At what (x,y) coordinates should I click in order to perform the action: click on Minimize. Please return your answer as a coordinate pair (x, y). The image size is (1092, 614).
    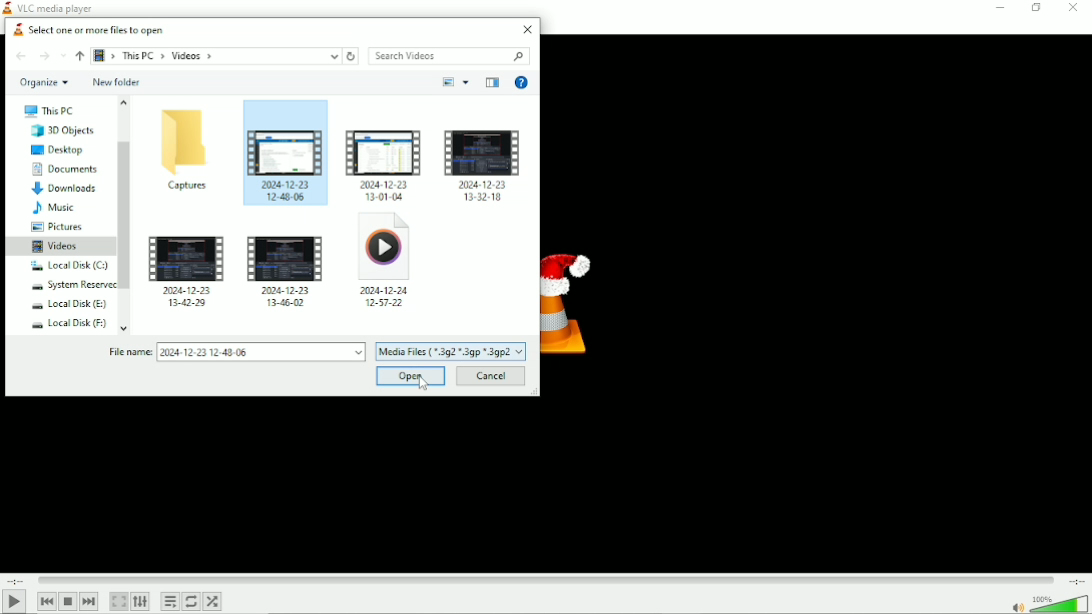
    Looking at the image, I should click on (999, 8).